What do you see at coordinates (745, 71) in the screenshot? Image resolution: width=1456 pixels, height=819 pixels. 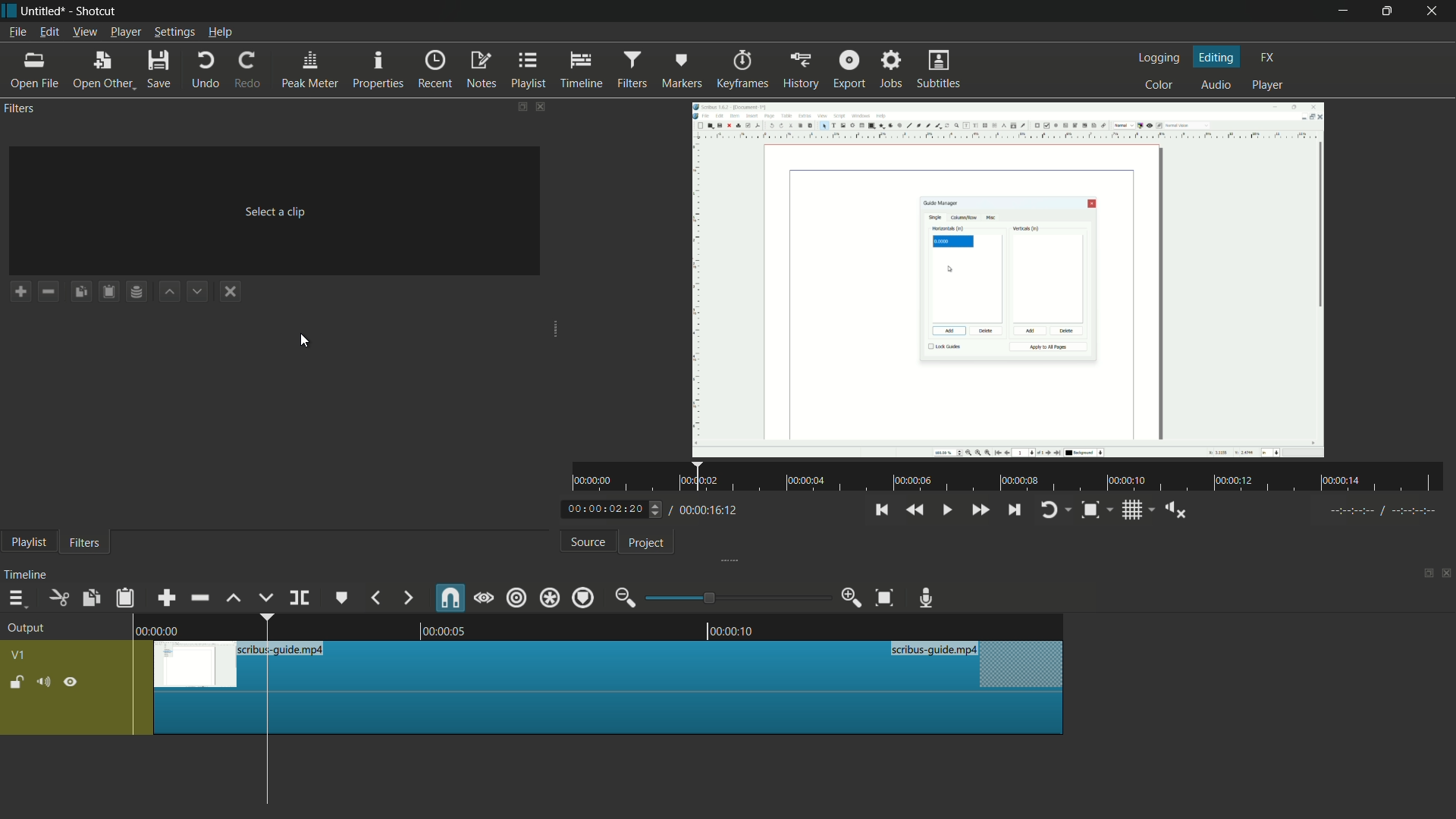 I see `keyframes` at bounding box center [745, 71].